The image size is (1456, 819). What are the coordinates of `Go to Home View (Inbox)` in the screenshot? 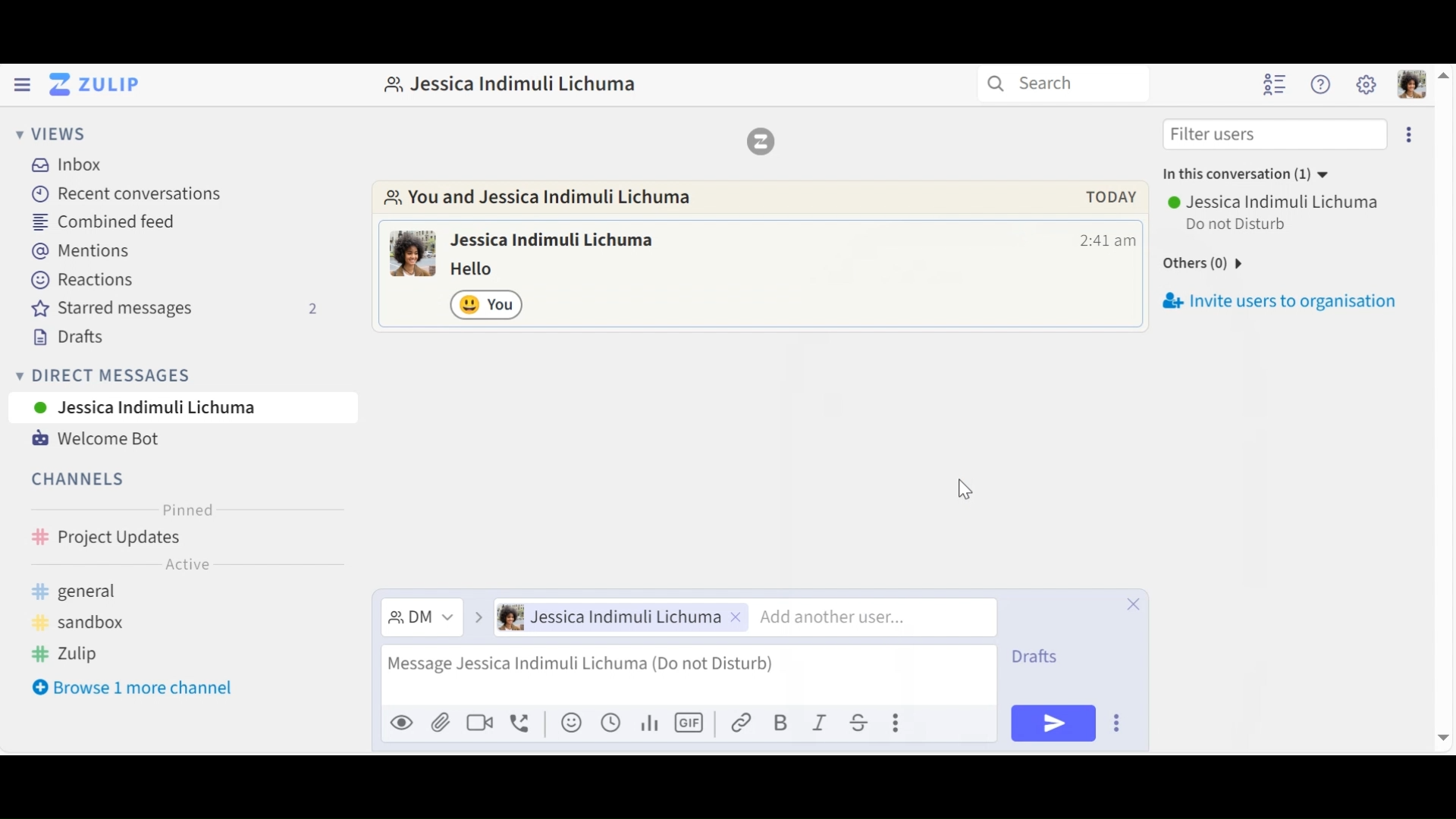 It's located at (93, 85).